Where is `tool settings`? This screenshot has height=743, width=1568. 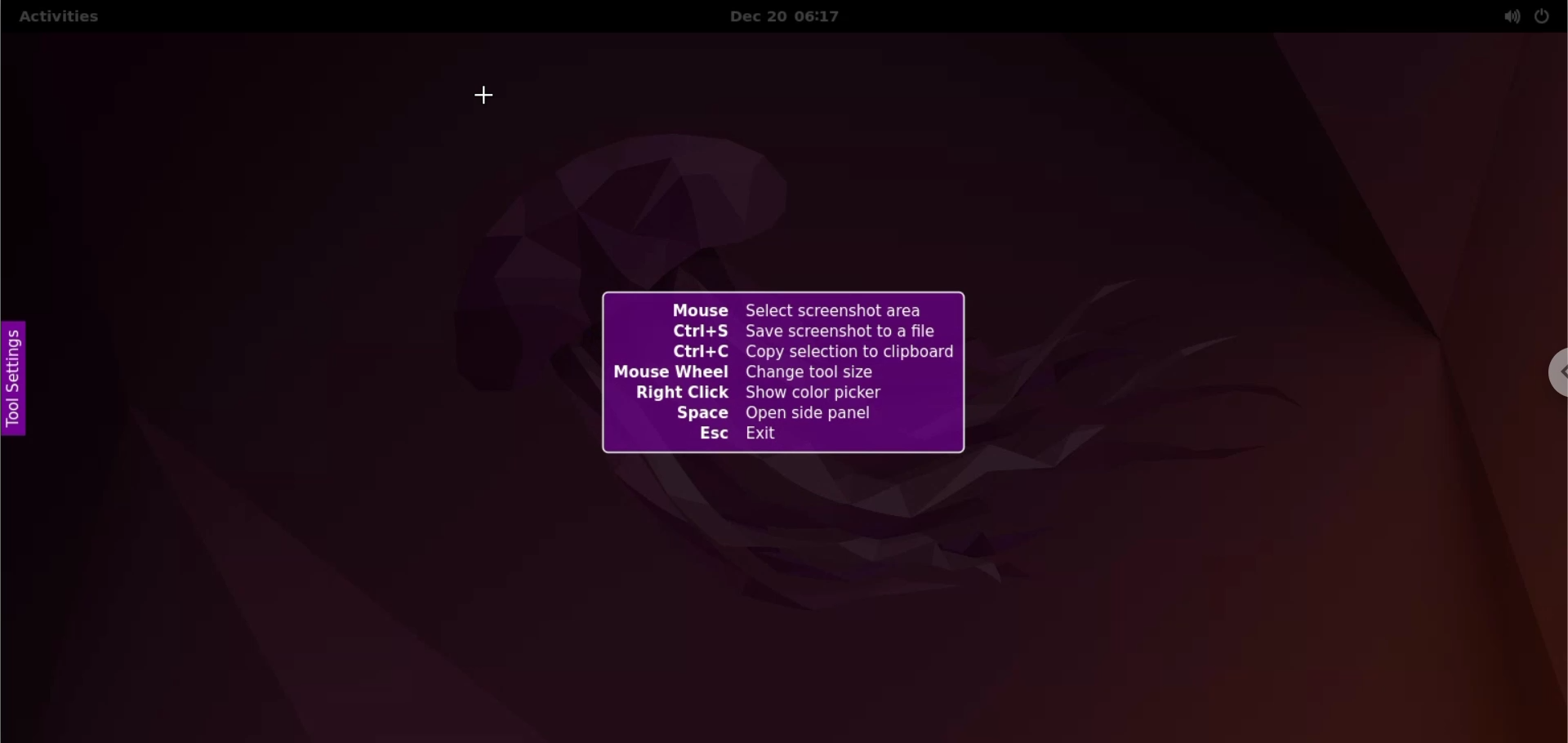 tool settings is located at coordinates (20, 380).